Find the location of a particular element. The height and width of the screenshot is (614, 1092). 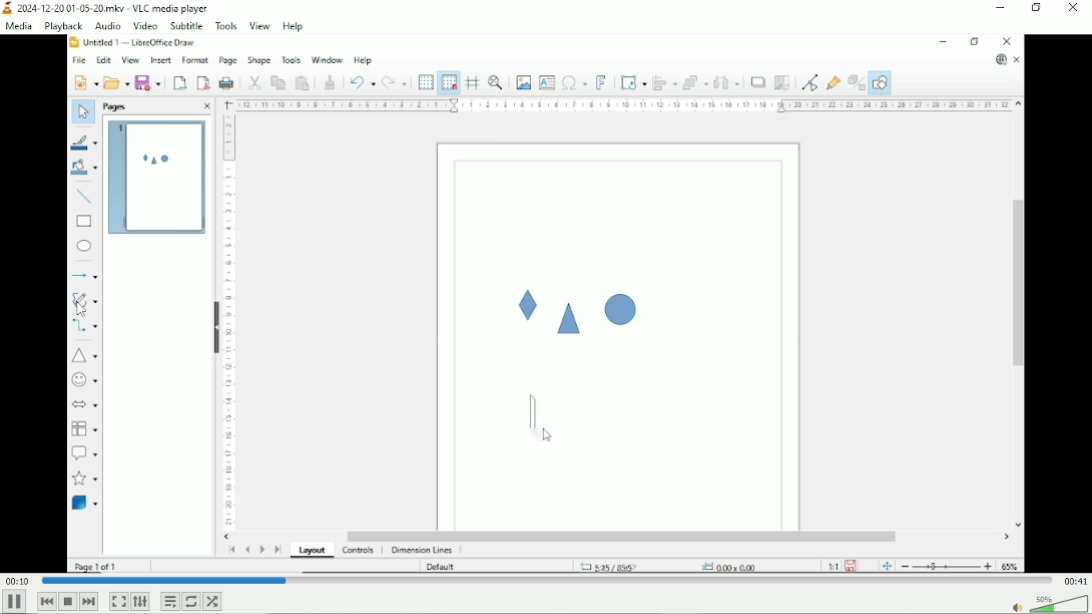

Playback is located at coordinates (62, 26).